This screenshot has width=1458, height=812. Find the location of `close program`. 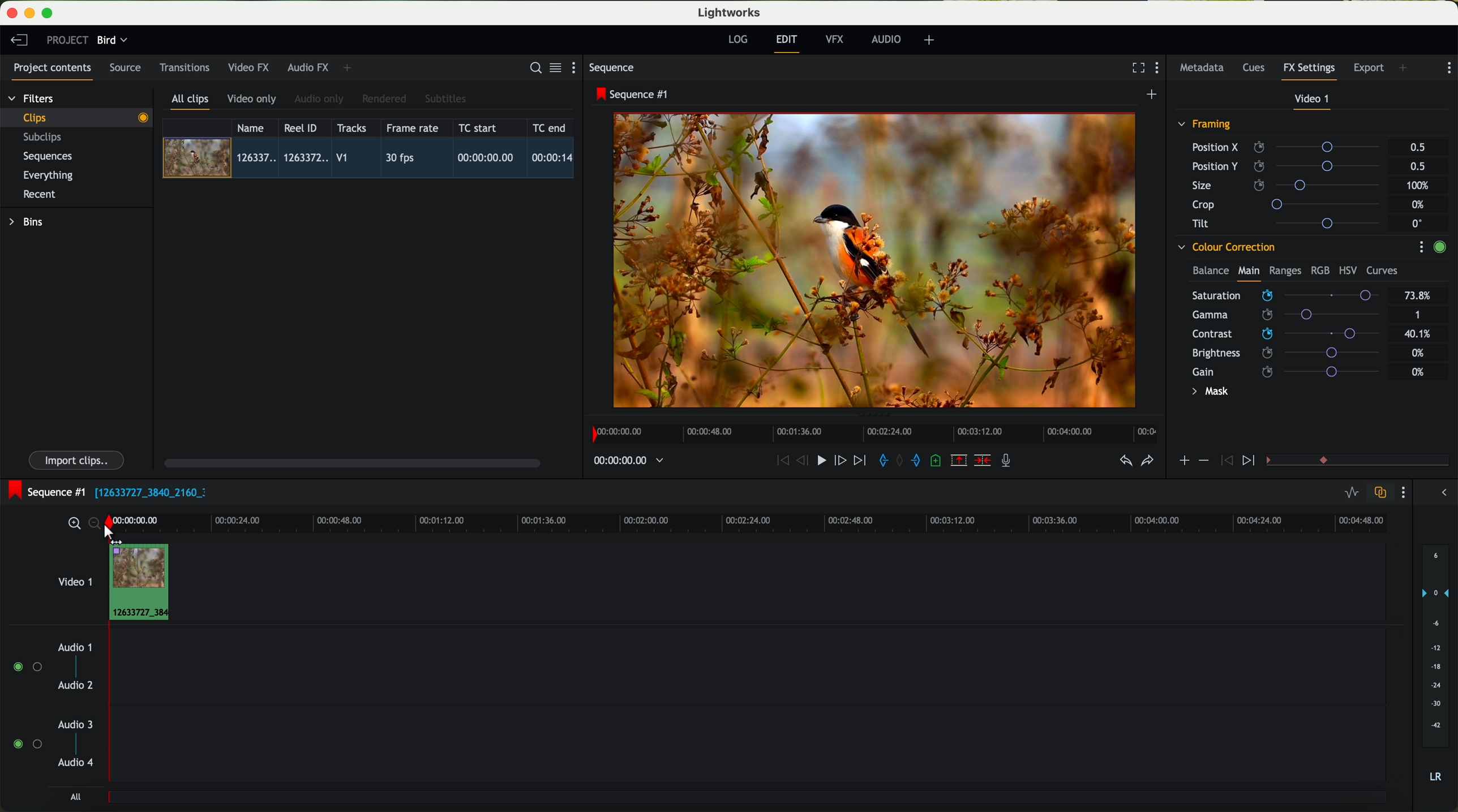

close program is located at coordinates (12, 13).